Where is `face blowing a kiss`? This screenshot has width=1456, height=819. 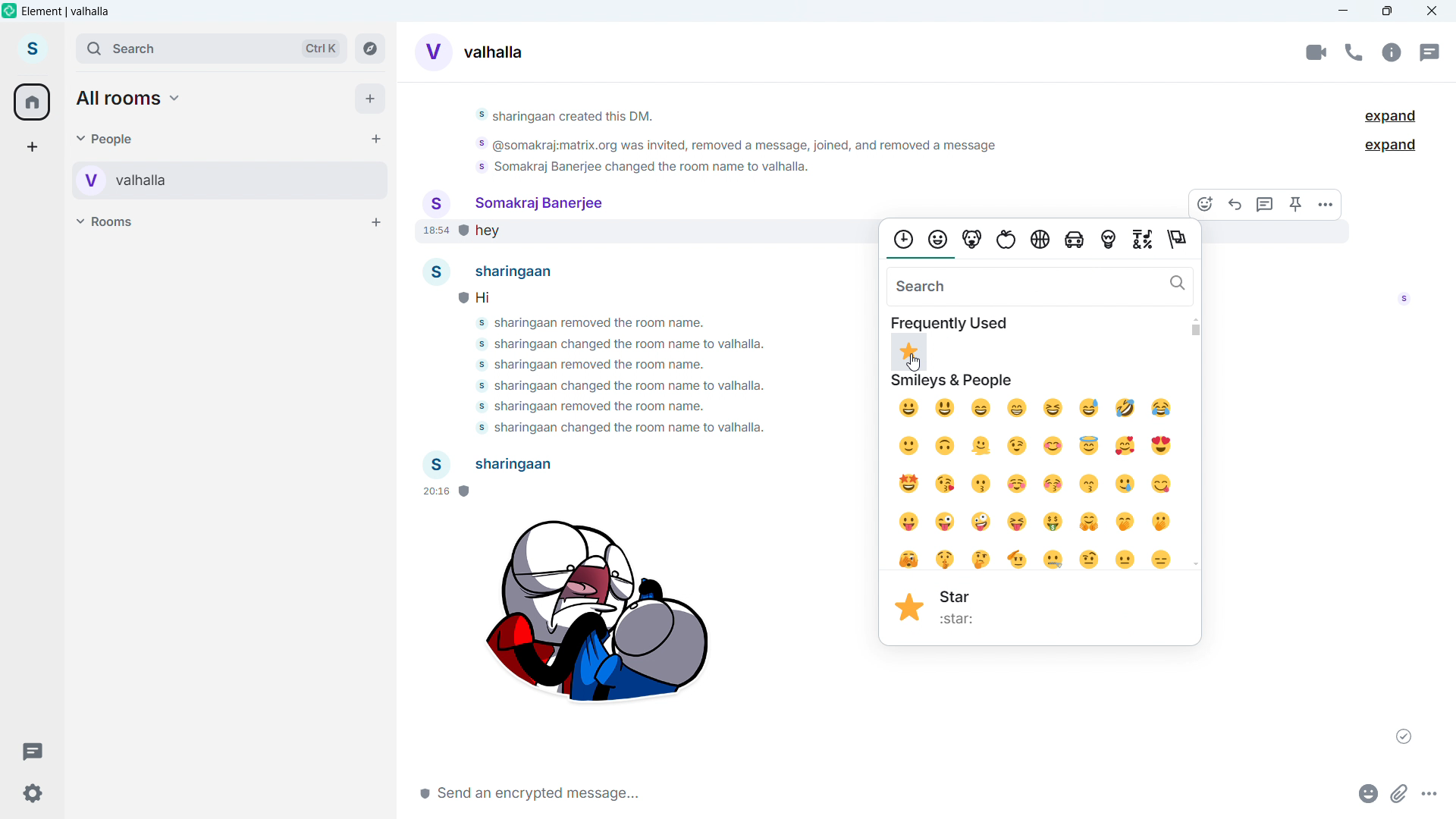
face blowing a kiss is located at coordinates (946, 485).